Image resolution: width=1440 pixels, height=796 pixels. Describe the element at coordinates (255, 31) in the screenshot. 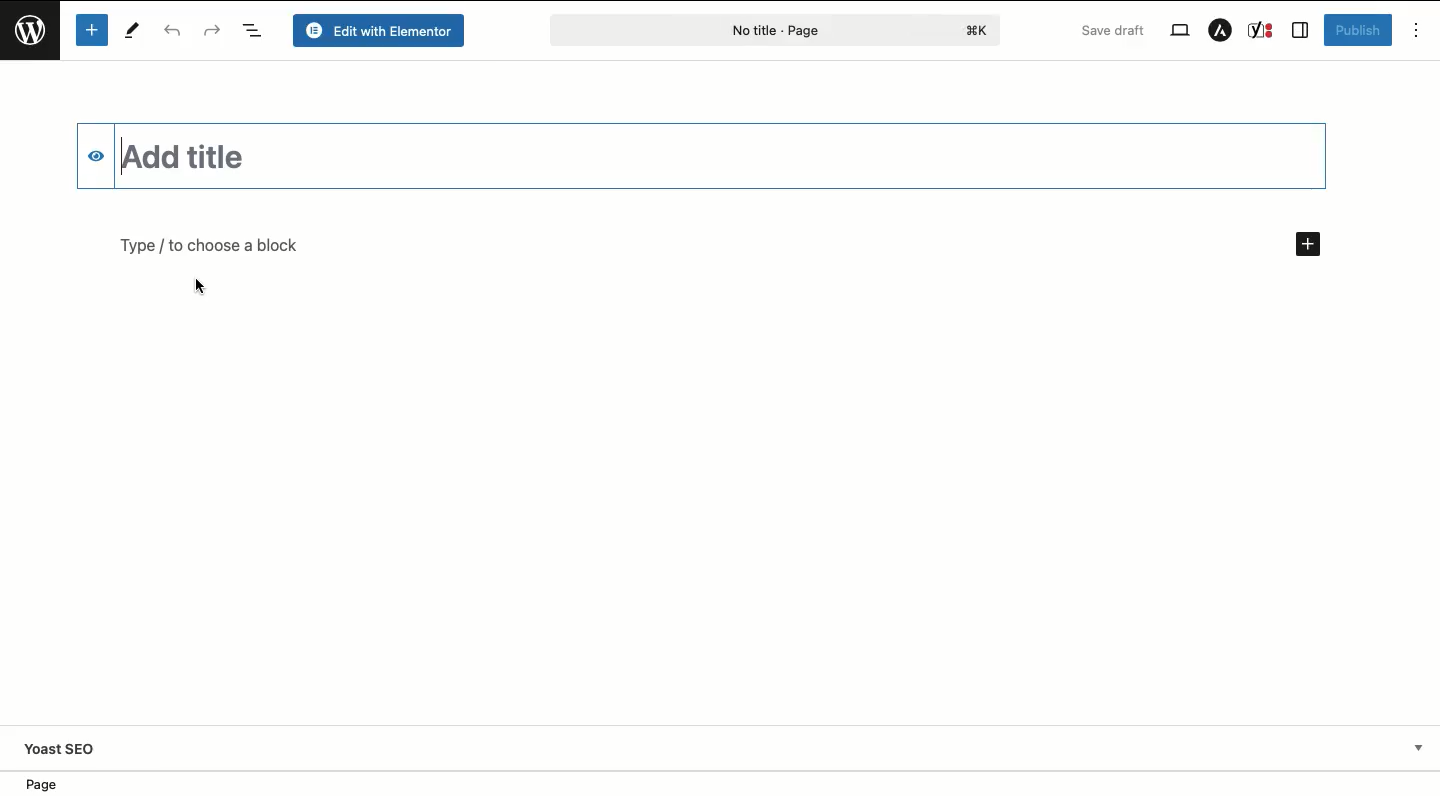

I see `Document overview` at that location.